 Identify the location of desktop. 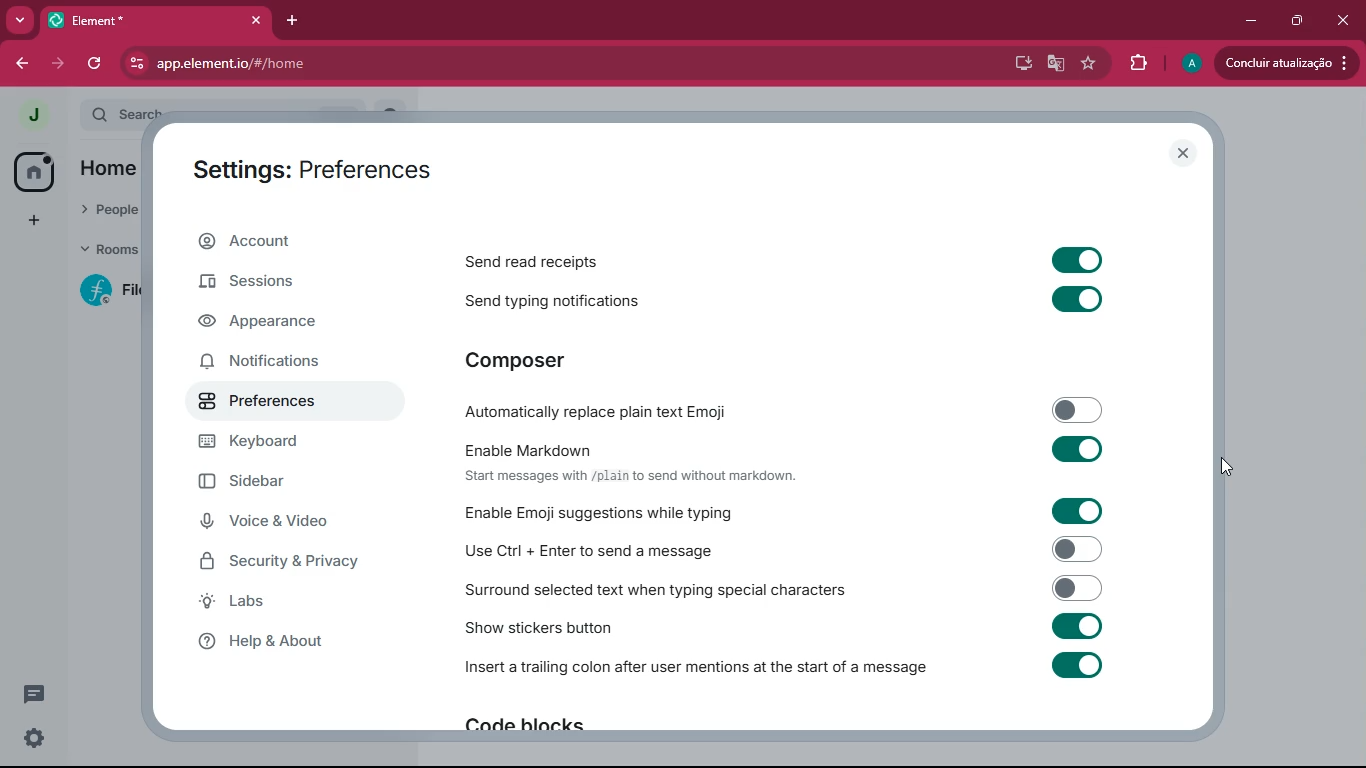
(1018, 65).